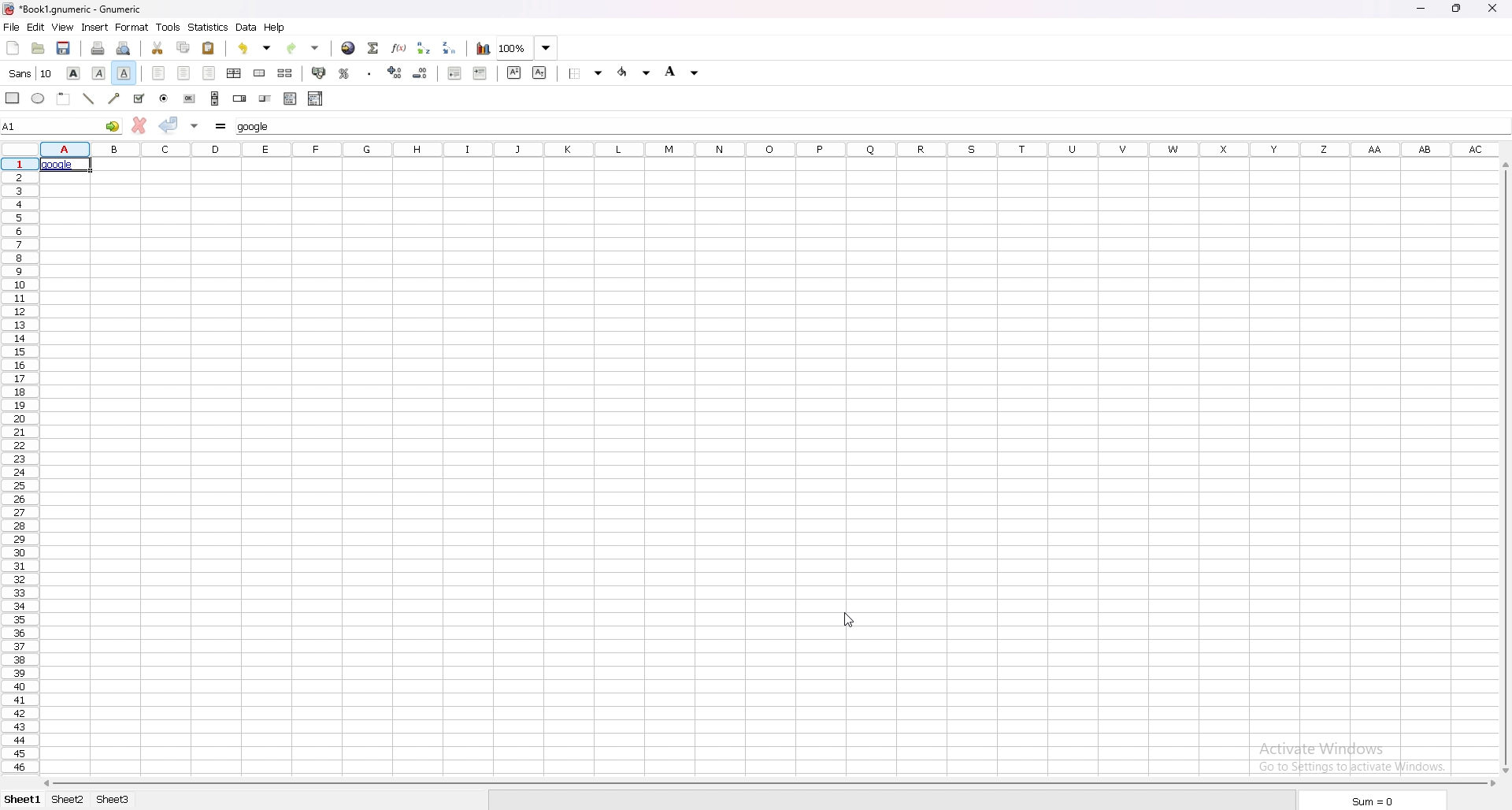  I want to click on left align, so click(158, 72).